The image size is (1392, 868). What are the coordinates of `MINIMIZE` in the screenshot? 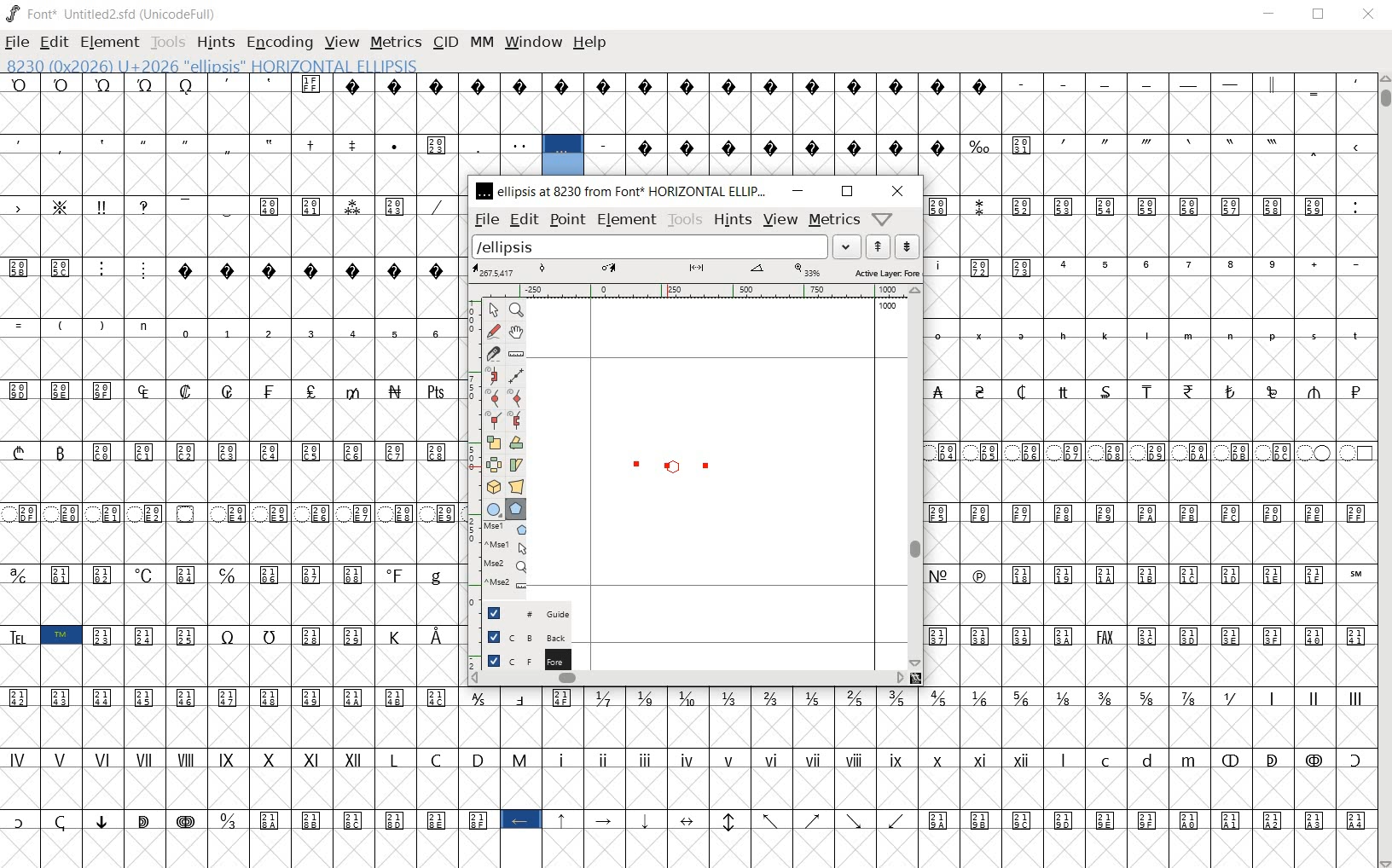 It's located at (1267, 14).